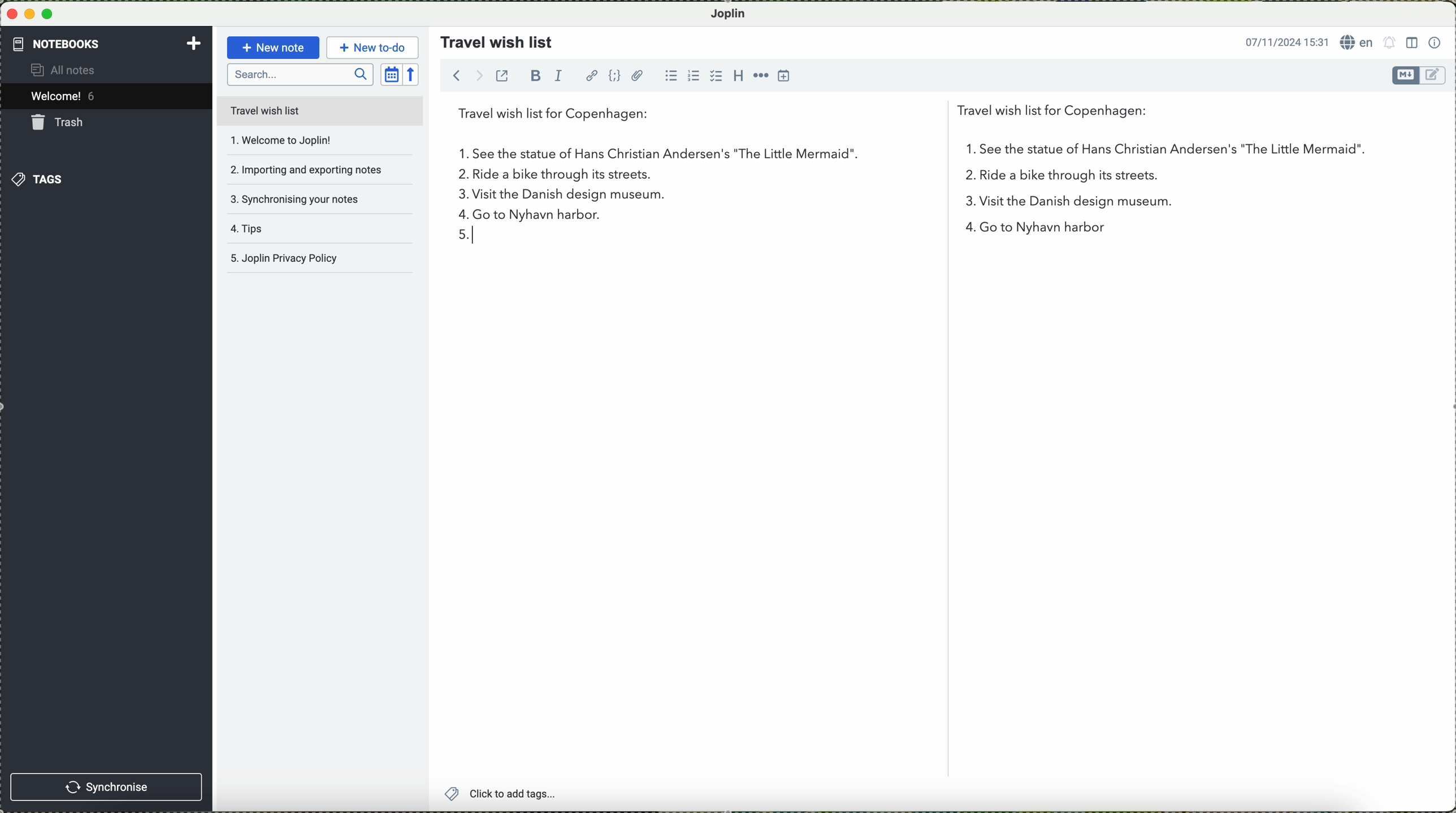 The width and height of the screenshot is (1456, 813). I want to click on bulleted list, so click(674, 76).